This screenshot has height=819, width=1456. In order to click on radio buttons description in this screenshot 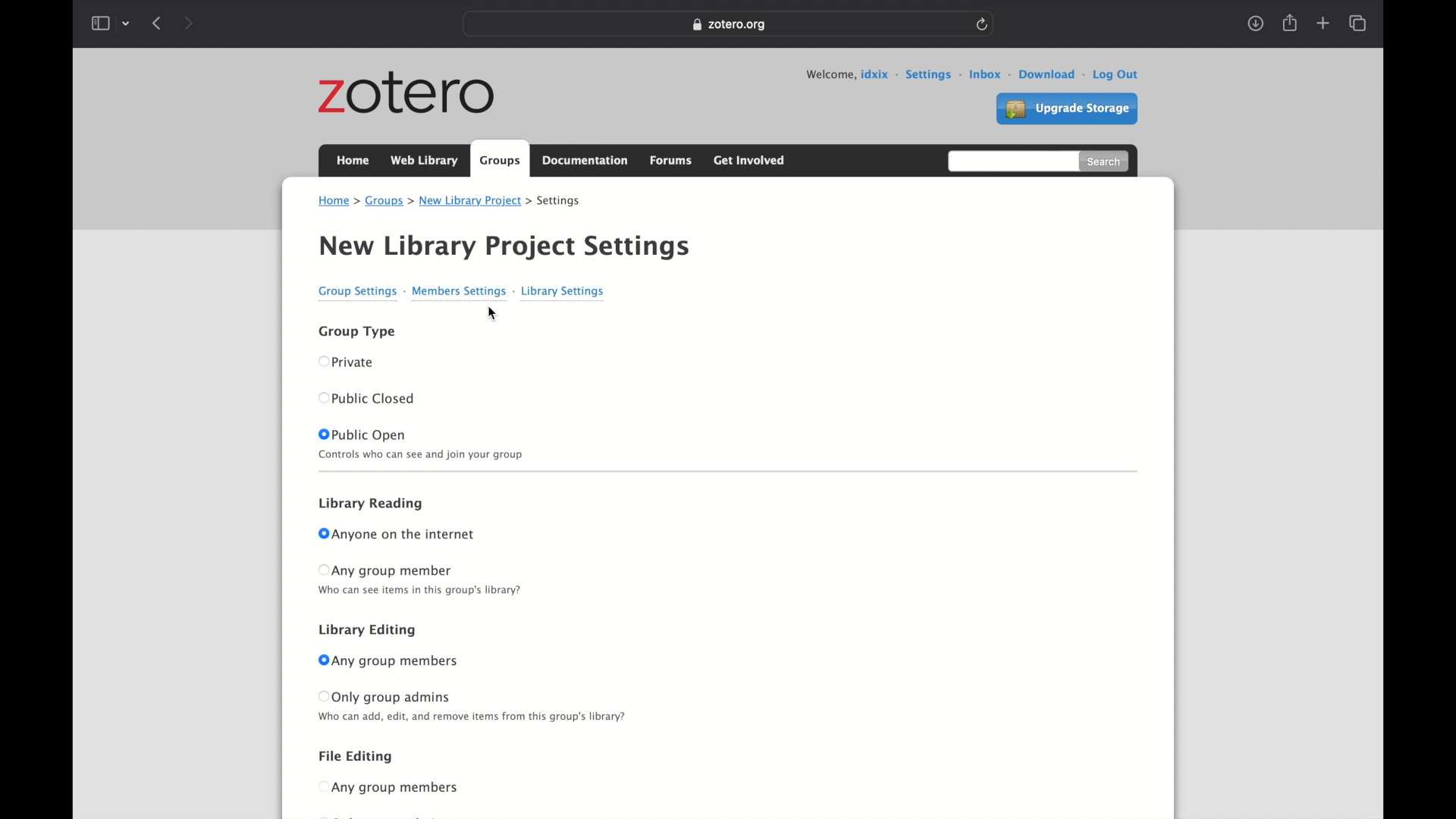, I will do `click(427, 591)`.